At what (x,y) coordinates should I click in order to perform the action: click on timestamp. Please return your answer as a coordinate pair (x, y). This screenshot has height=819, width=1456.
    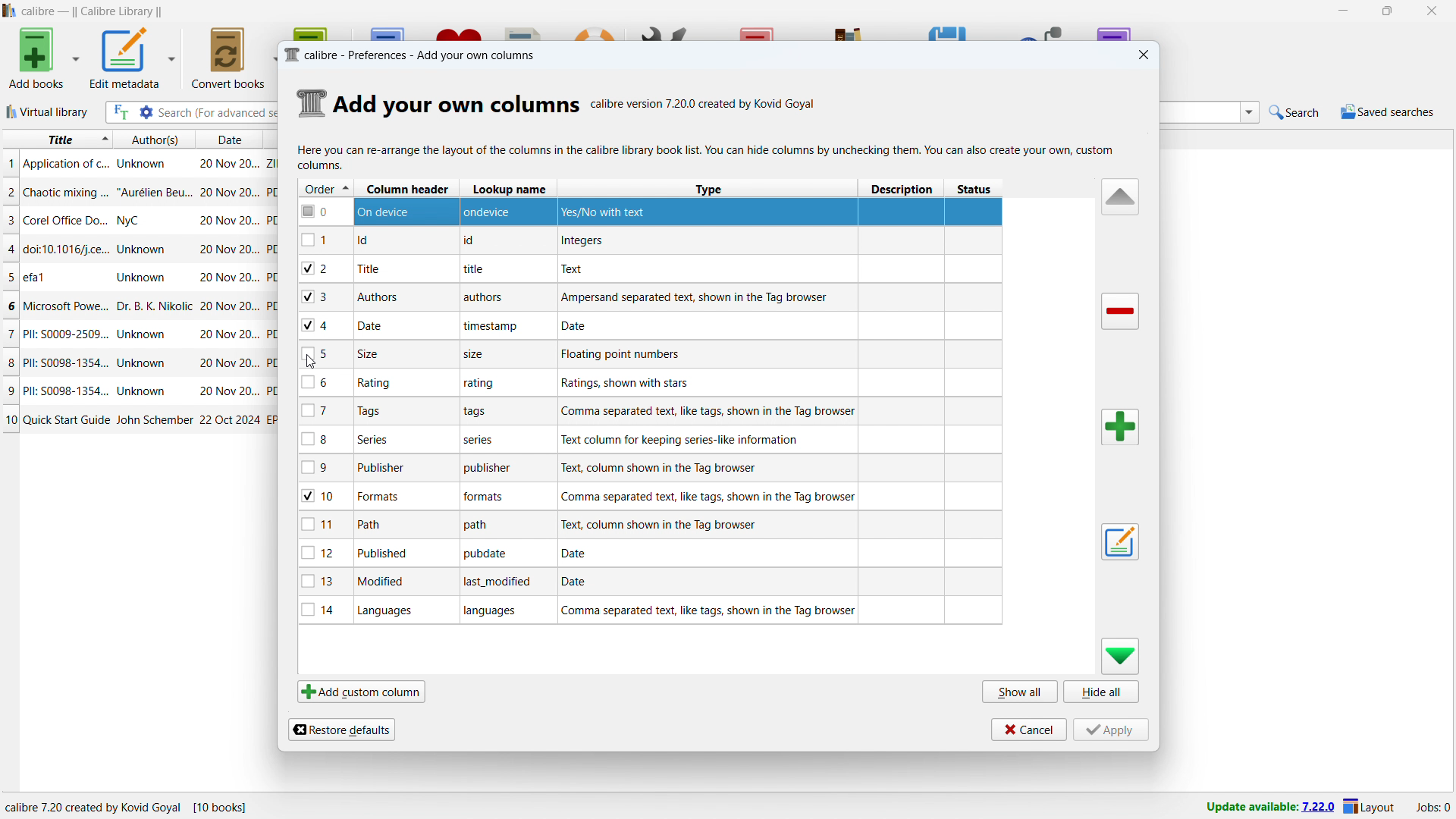
    Looking at the image, I should click on (491, 325).